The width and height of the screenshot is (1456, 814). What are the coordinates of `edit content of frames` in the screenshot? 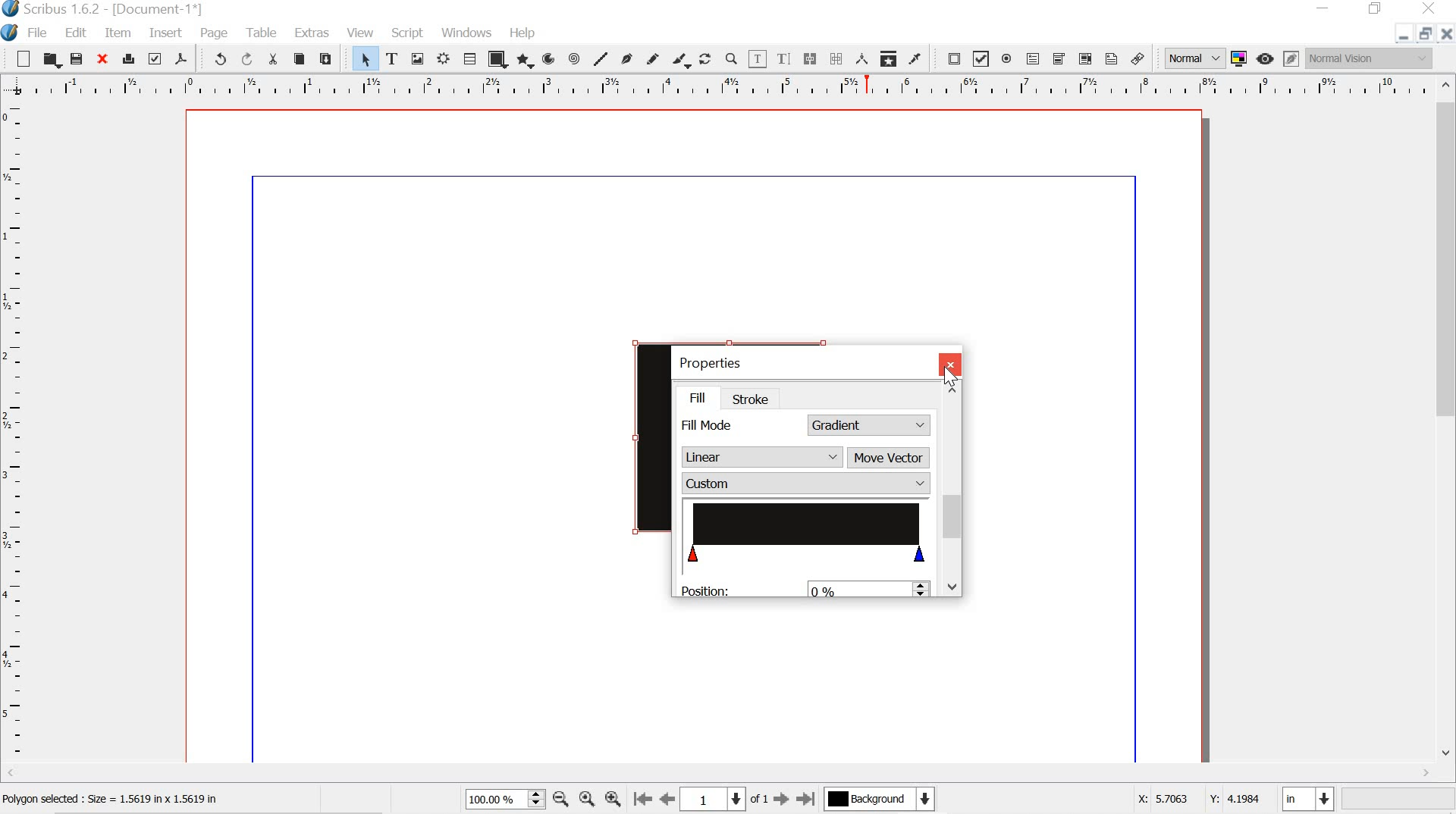 It's located at (759, 58).